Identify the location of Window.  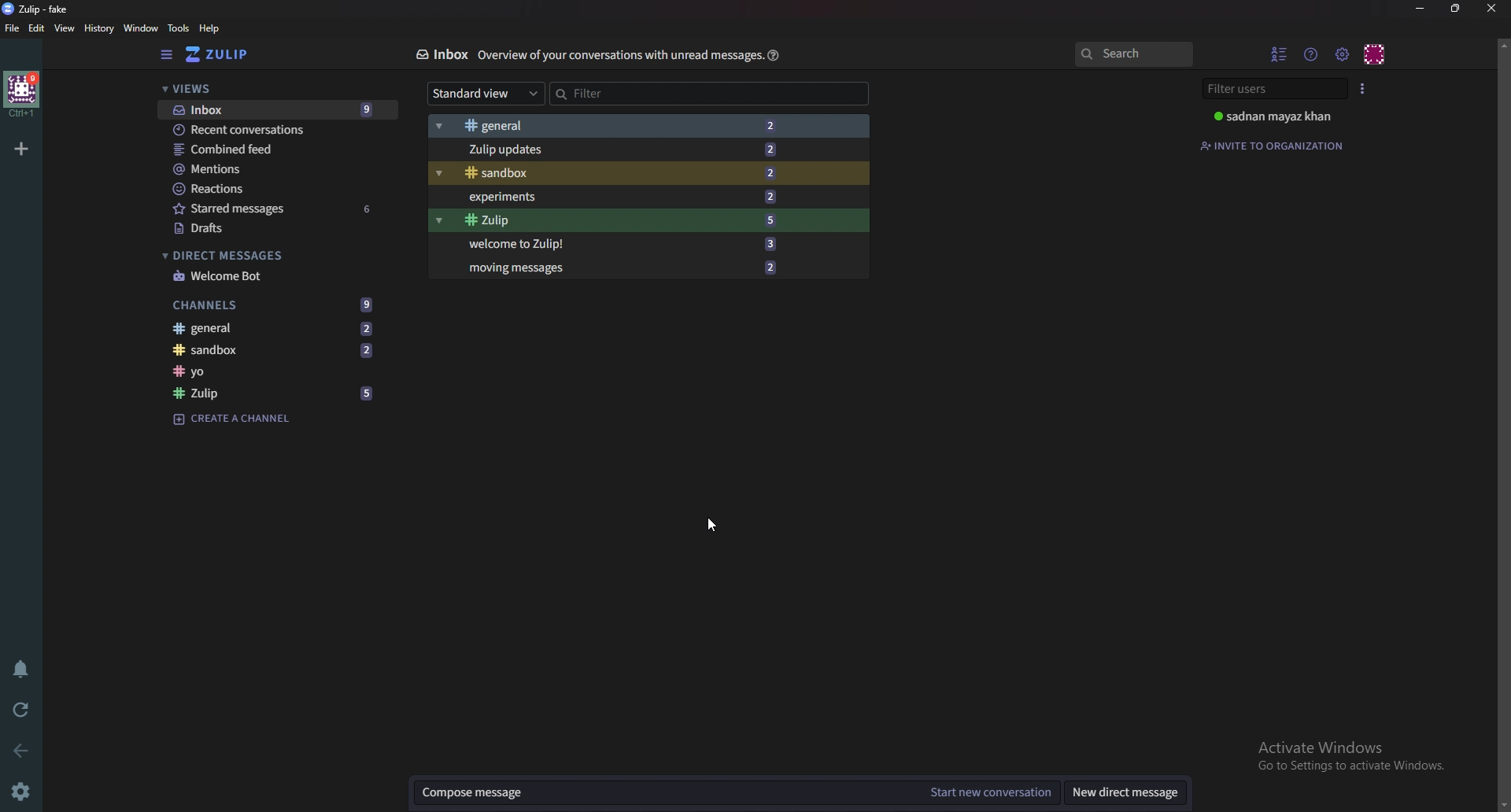
(143, 28).